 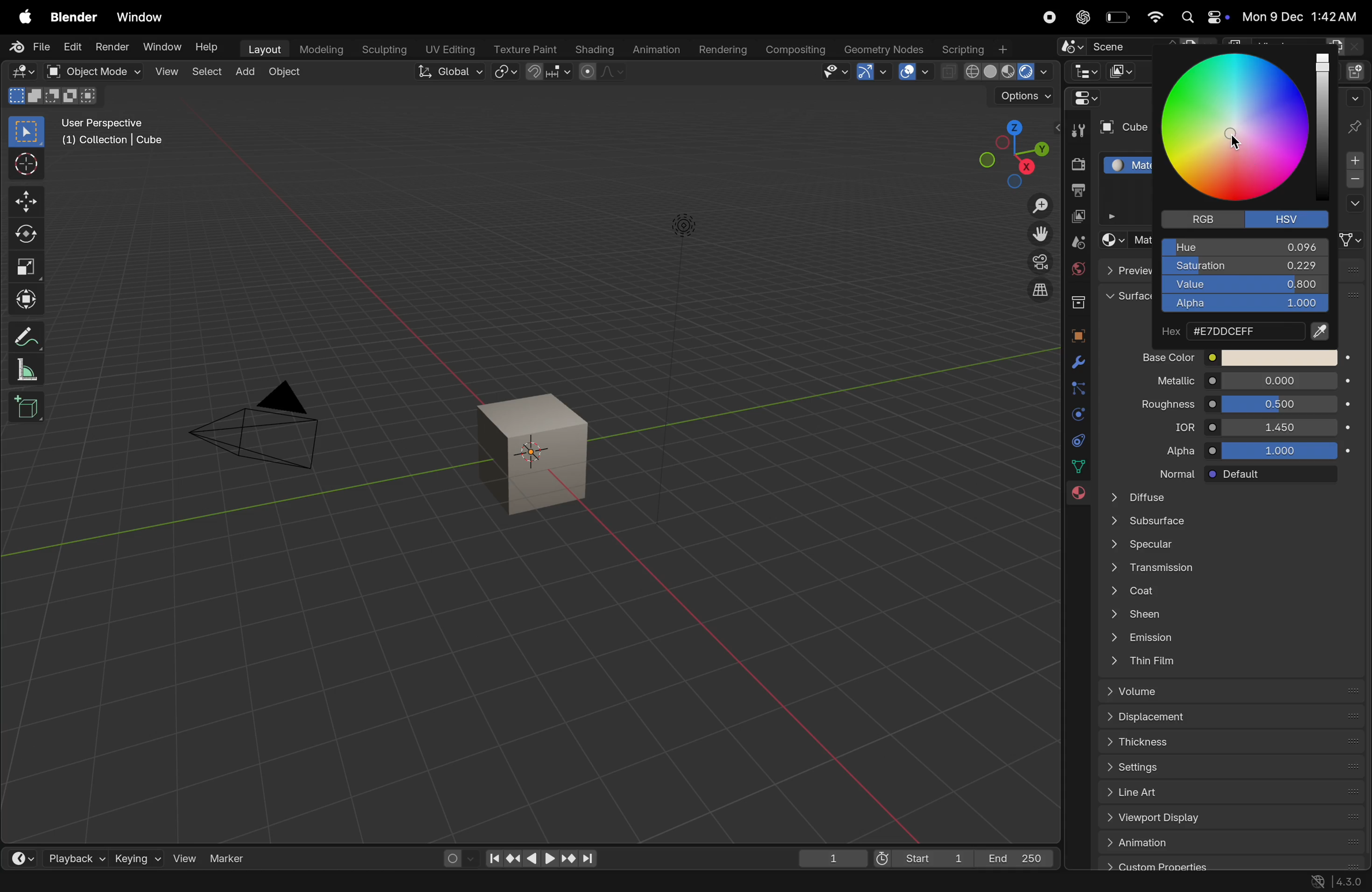 What do you see at coordinates (1280, 404) in the screenshot?
I see `0.500` at bounding box center [1280, 404].